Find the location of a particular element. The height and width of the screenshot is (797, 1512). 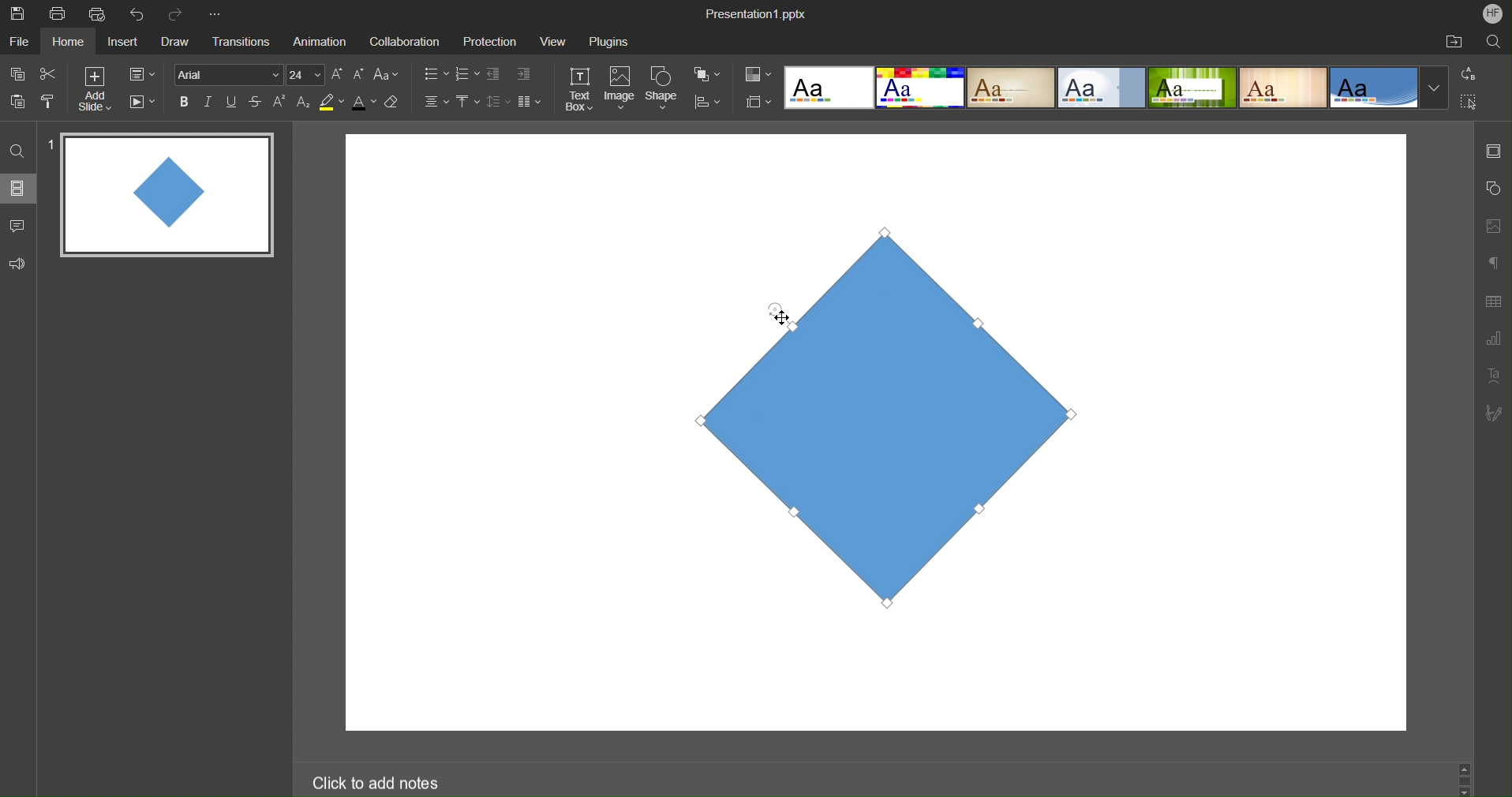

File is located at coordinates (20, 39).